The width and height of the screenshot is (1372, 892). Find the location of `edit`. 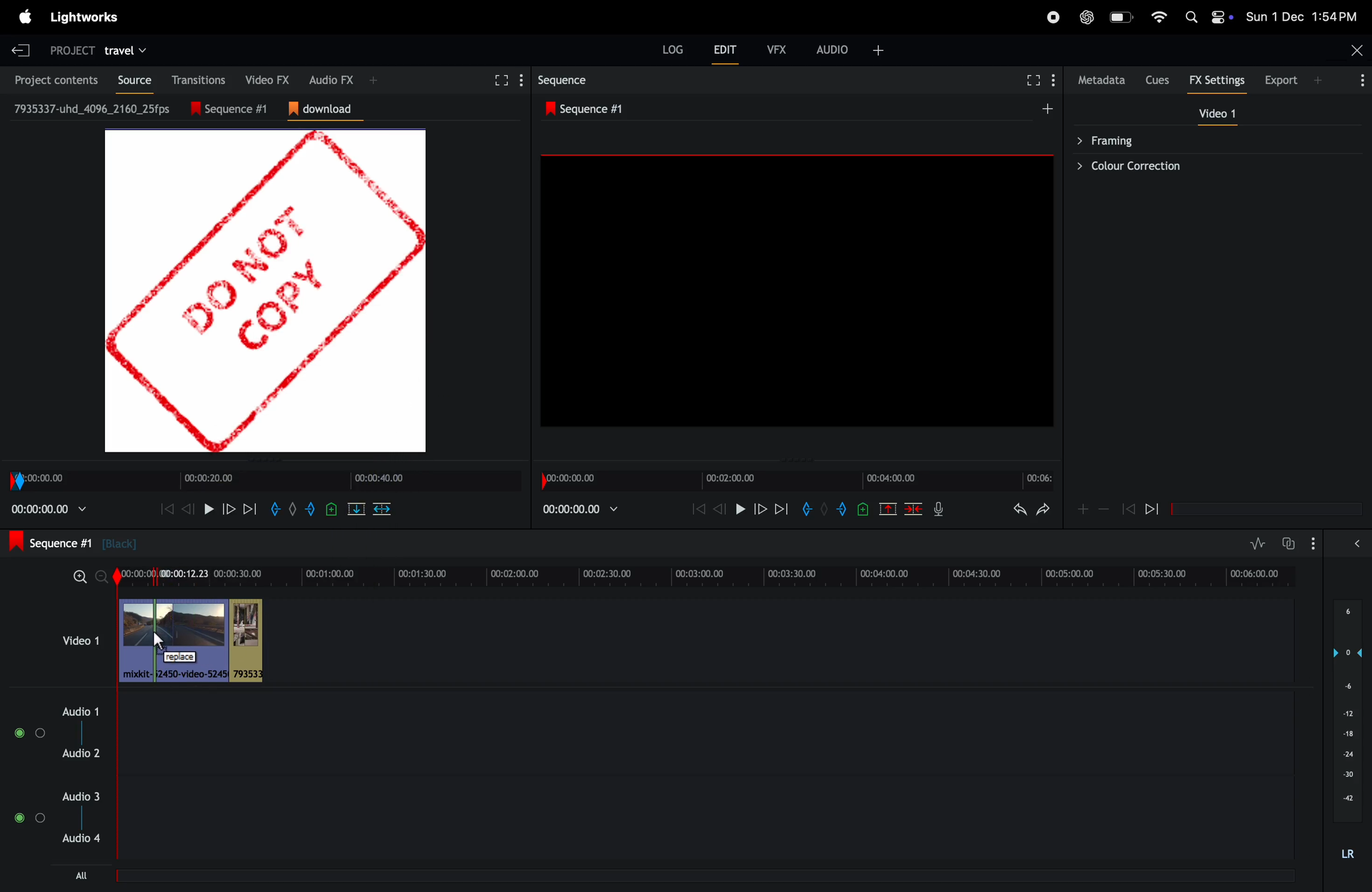

edit is located at coordinates (725, 49).